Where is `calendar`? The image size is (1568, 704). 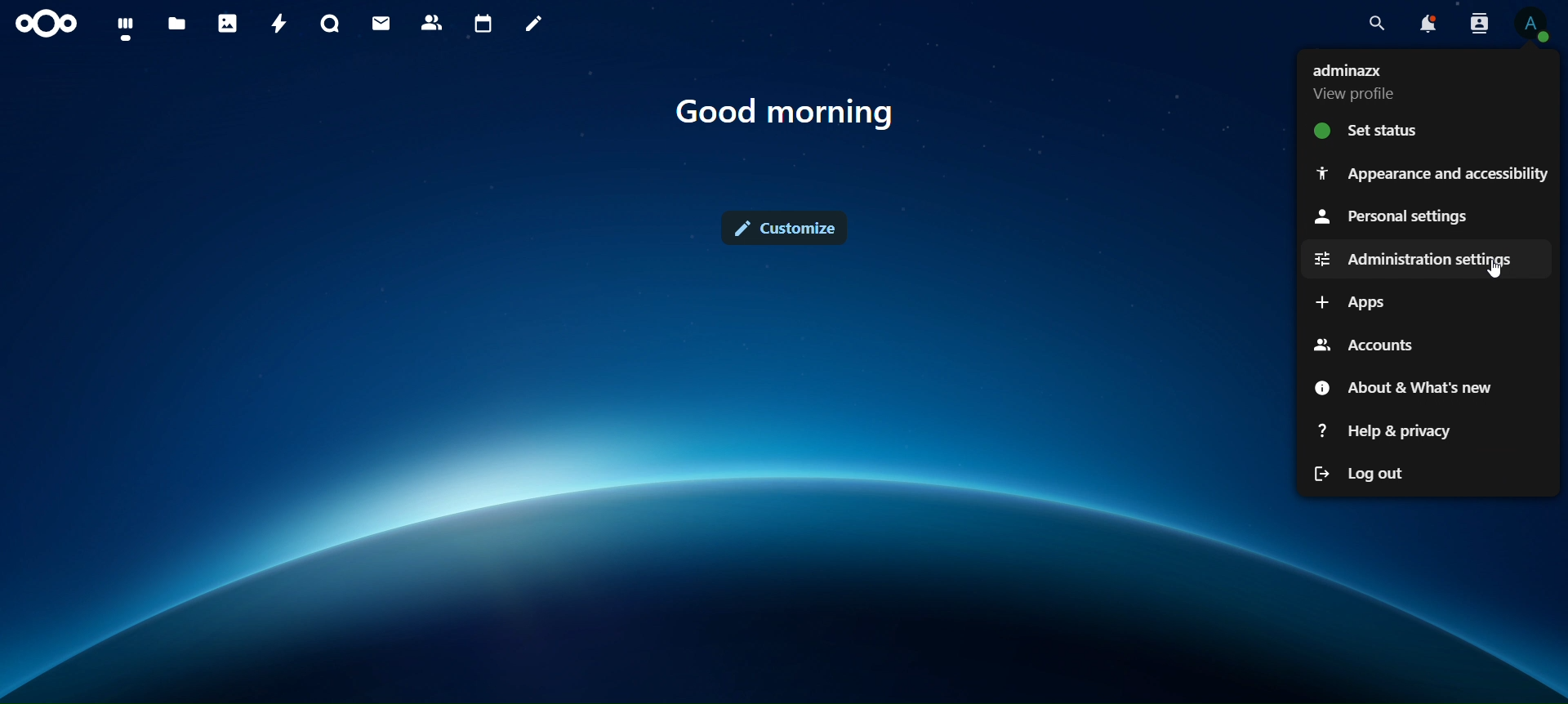 calendar is located at coordinates (486, 25).